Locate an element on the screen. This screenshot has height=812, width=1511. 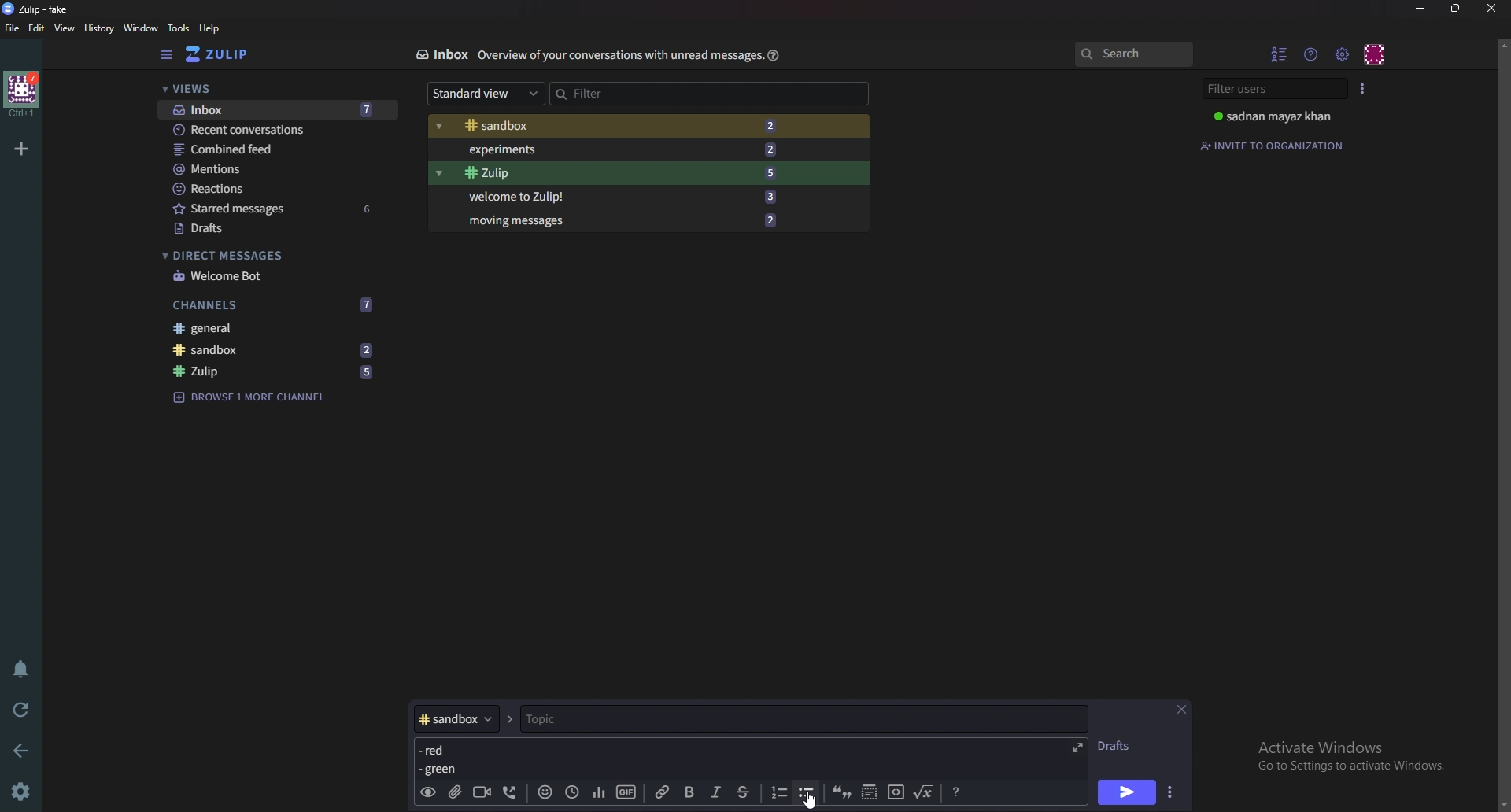
Home is located at coordinates (23, 94).